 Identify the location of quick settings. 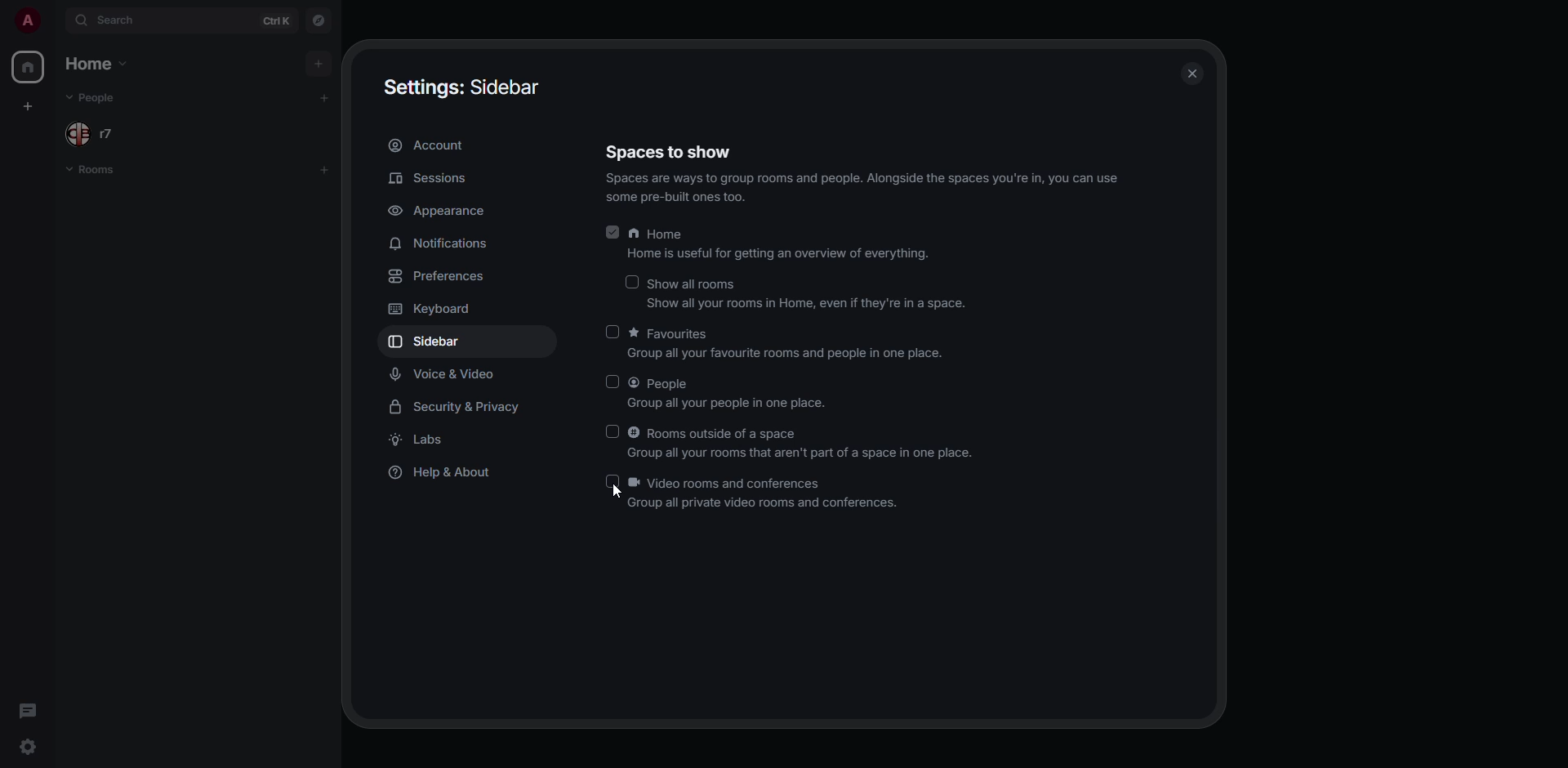
(29, 745).